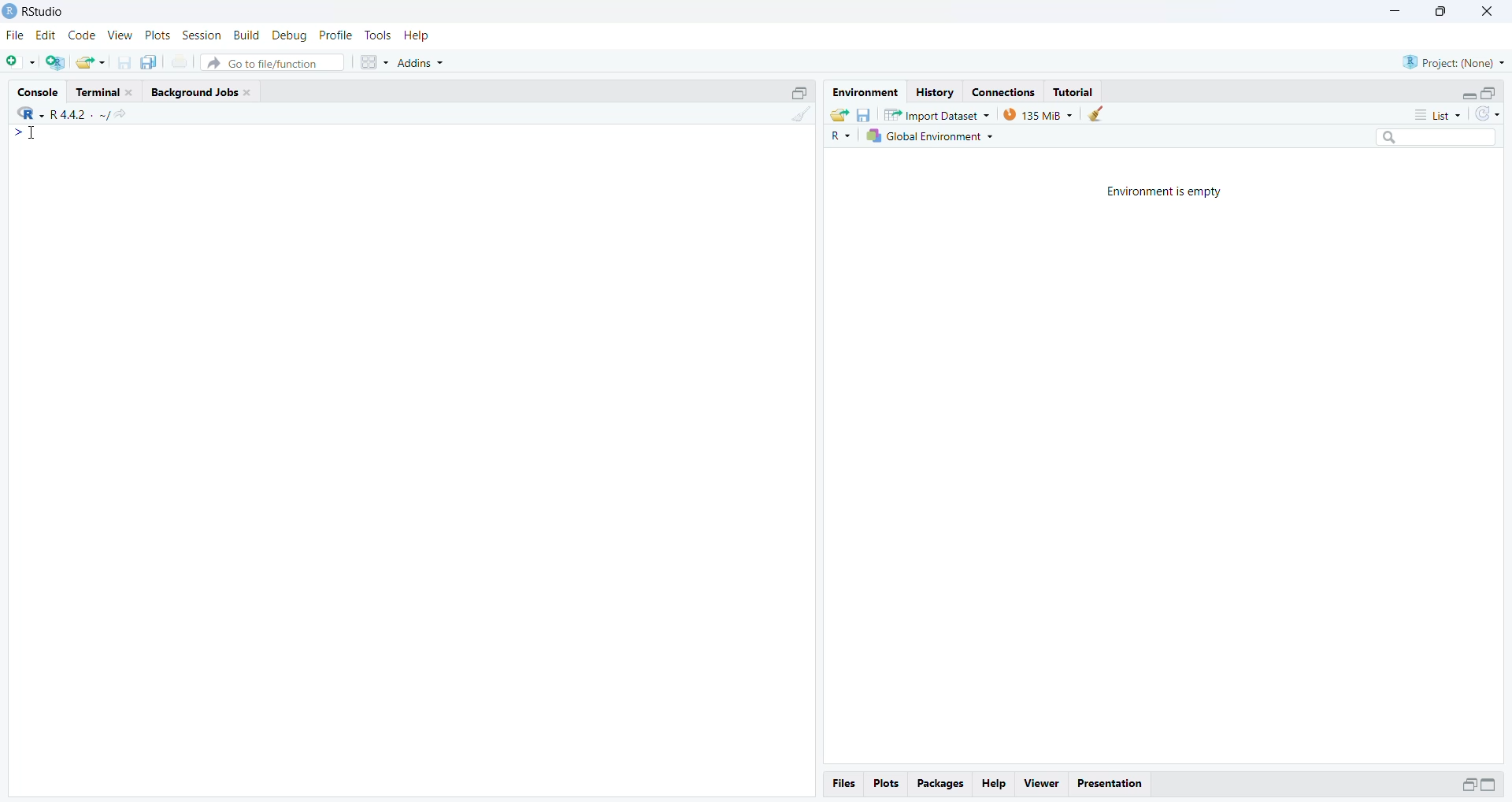  What do you see at coordinates (1489, 91) in the screenshot?
I see `Maximize` at bounding box center [1489, 91].